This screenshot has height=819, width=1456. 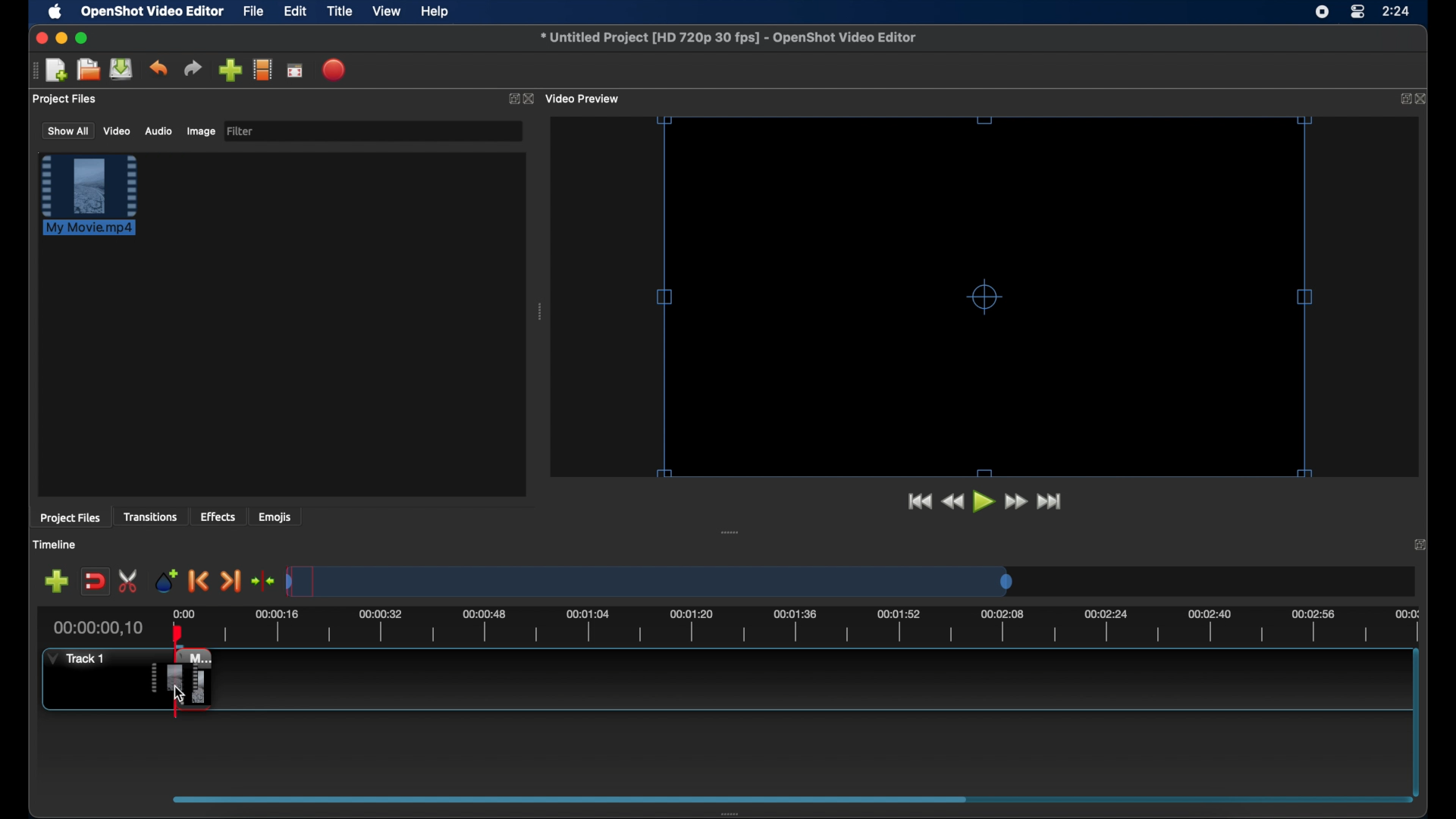 I want to click on file name, so click(x=728, y=38).